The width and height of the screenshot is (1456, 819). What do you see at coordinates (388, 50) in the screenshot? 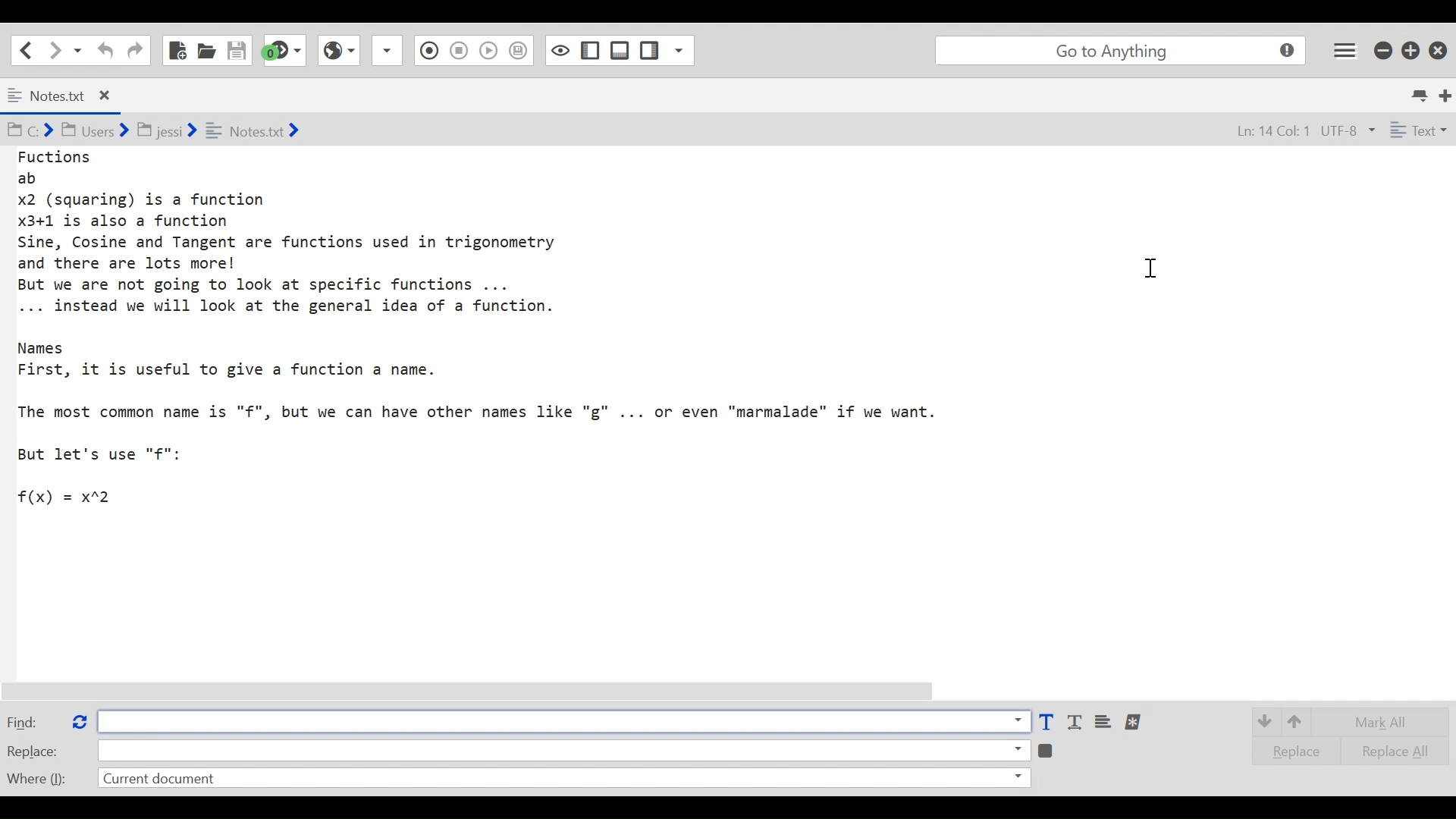
I see `Recording Macro` at bounding box center [388, 50].